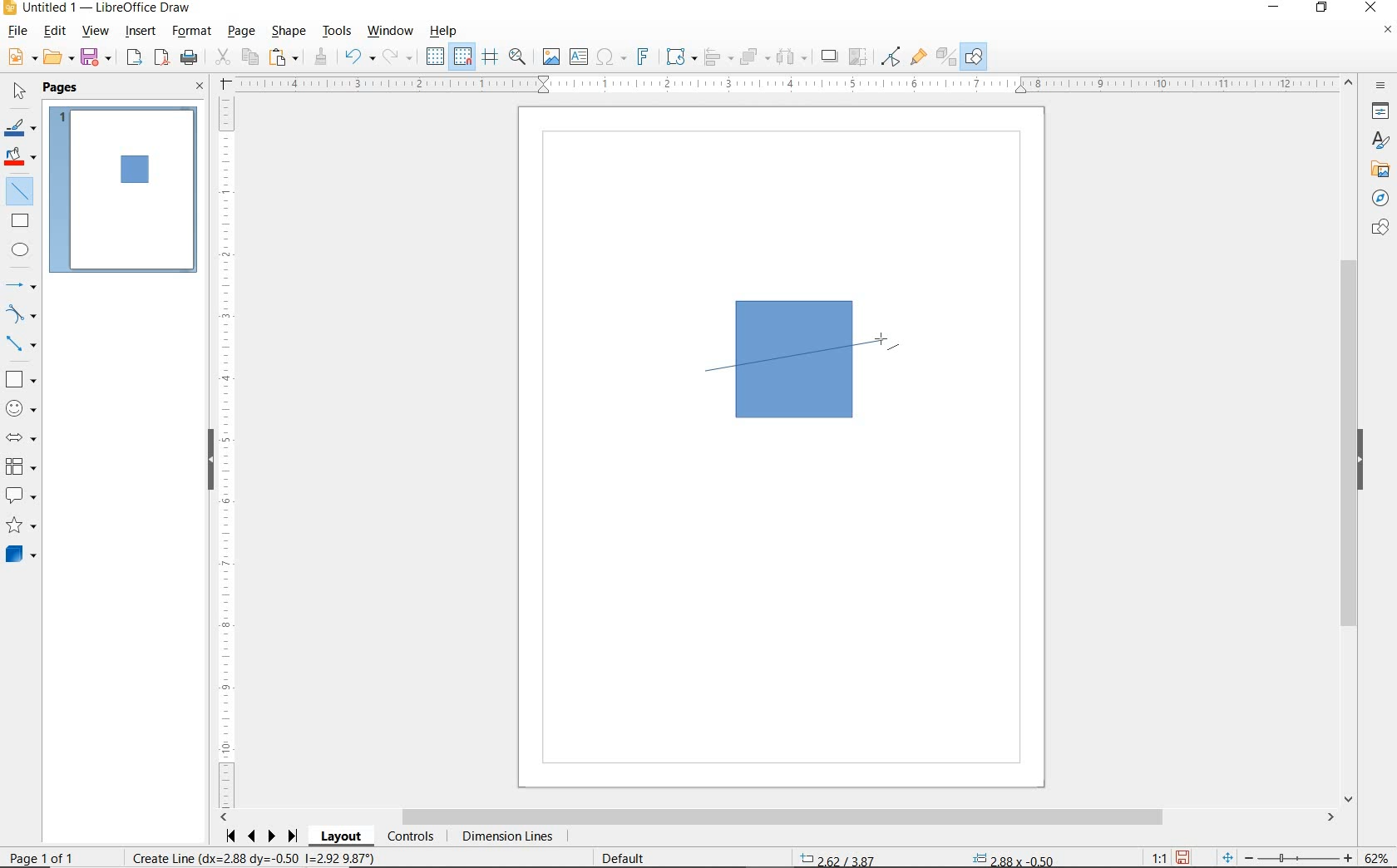 This screenshot has height=868, width=1397. Describe the element at coordinates (518, 57) in the screenshot. I see `ZOOM & PAN` at that location.